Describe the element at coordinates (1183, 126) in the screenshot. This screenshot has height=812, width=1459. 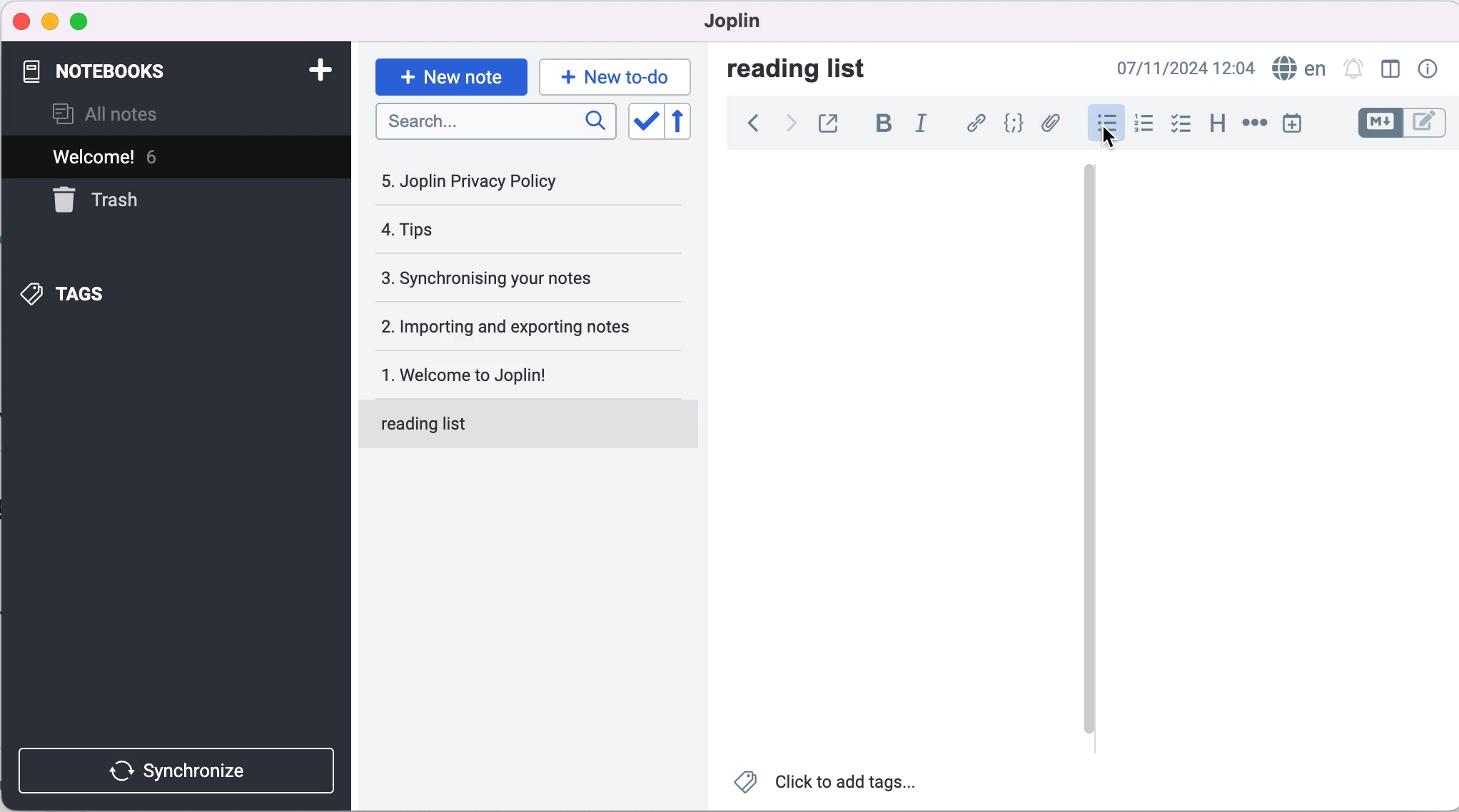
I see `checkbox` at that location.